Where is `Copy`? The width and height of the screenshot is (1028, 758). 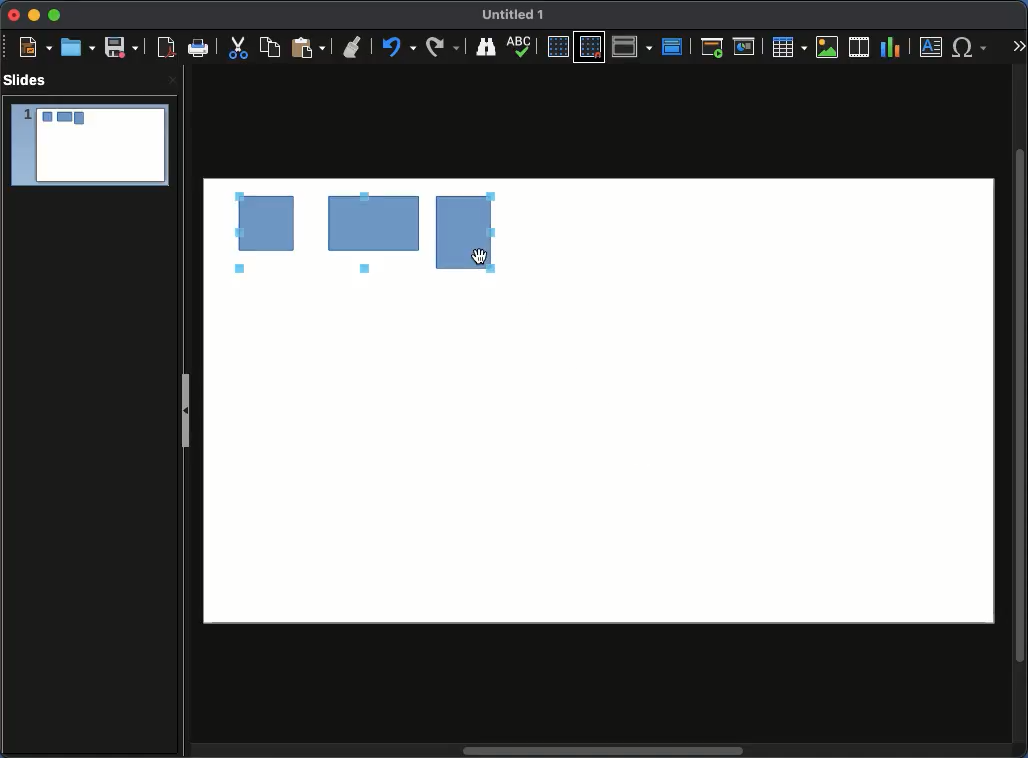
Copy is located at coordinates (270, 47).